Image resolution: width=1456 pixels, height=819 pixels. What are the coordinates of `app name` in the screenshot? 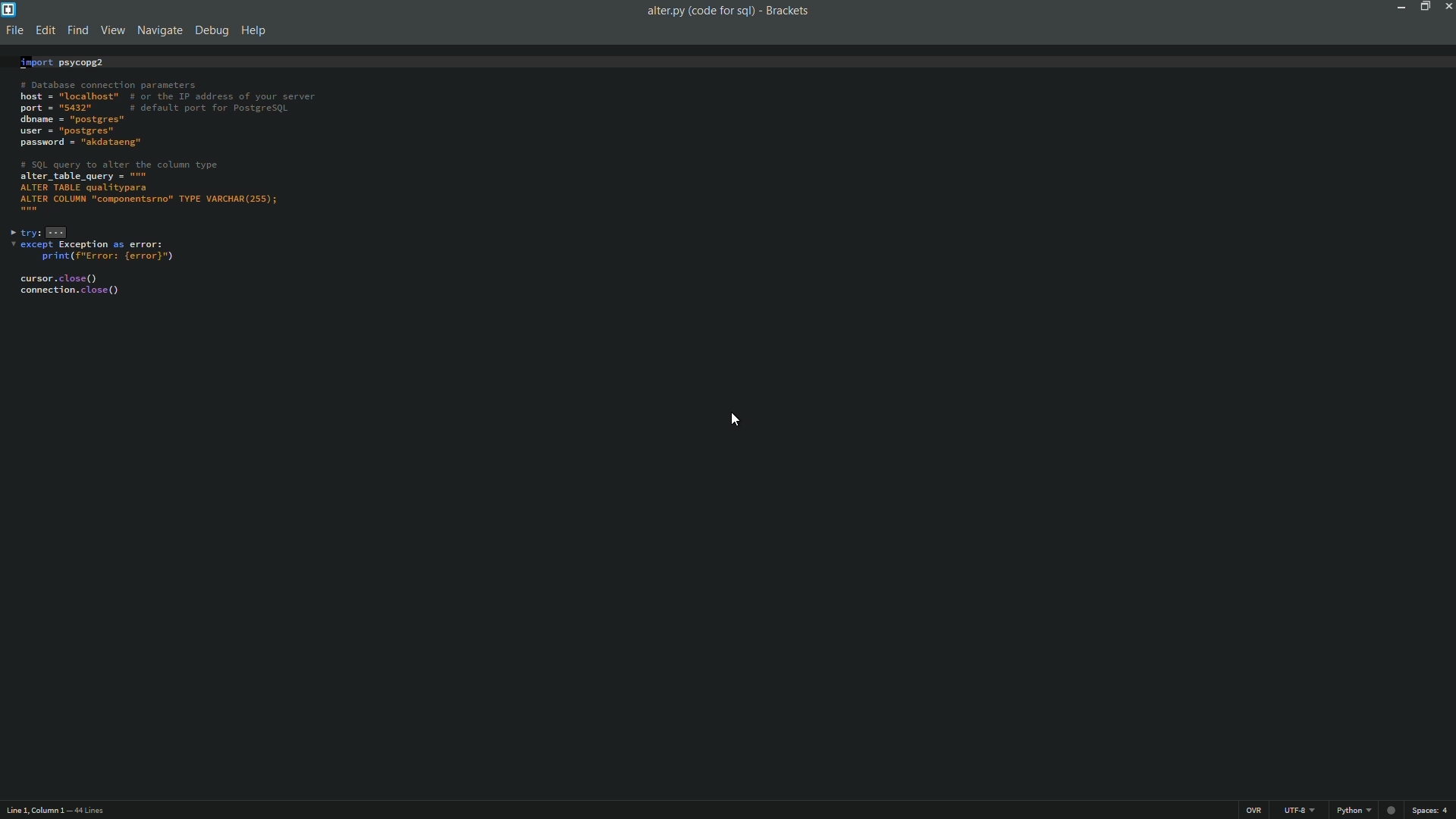 It's located at (789, 9).